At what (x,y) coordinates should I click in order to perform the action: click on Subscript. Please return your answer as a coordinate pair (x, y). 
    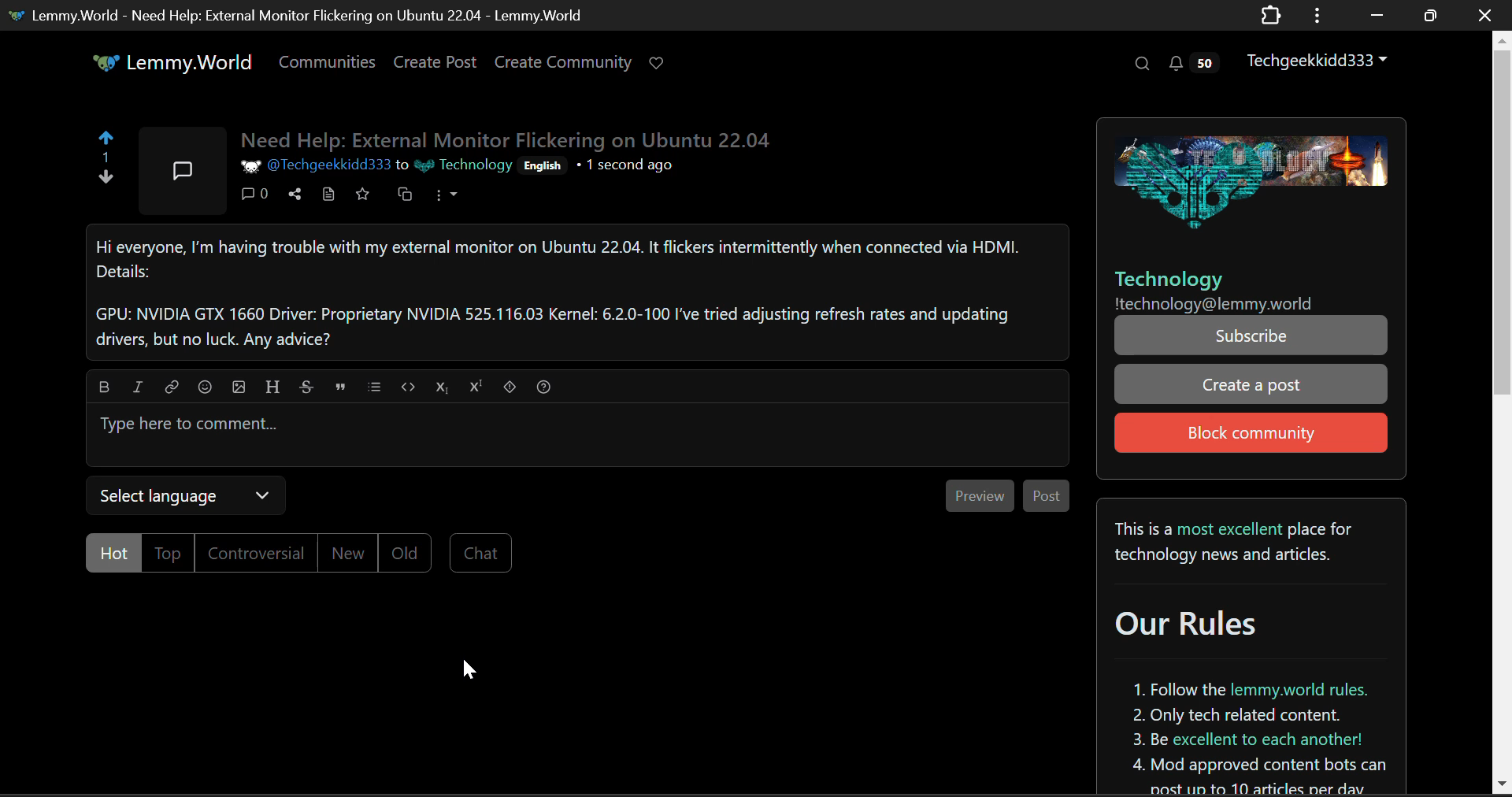
    Looking at the image, I should click on (441, 387).